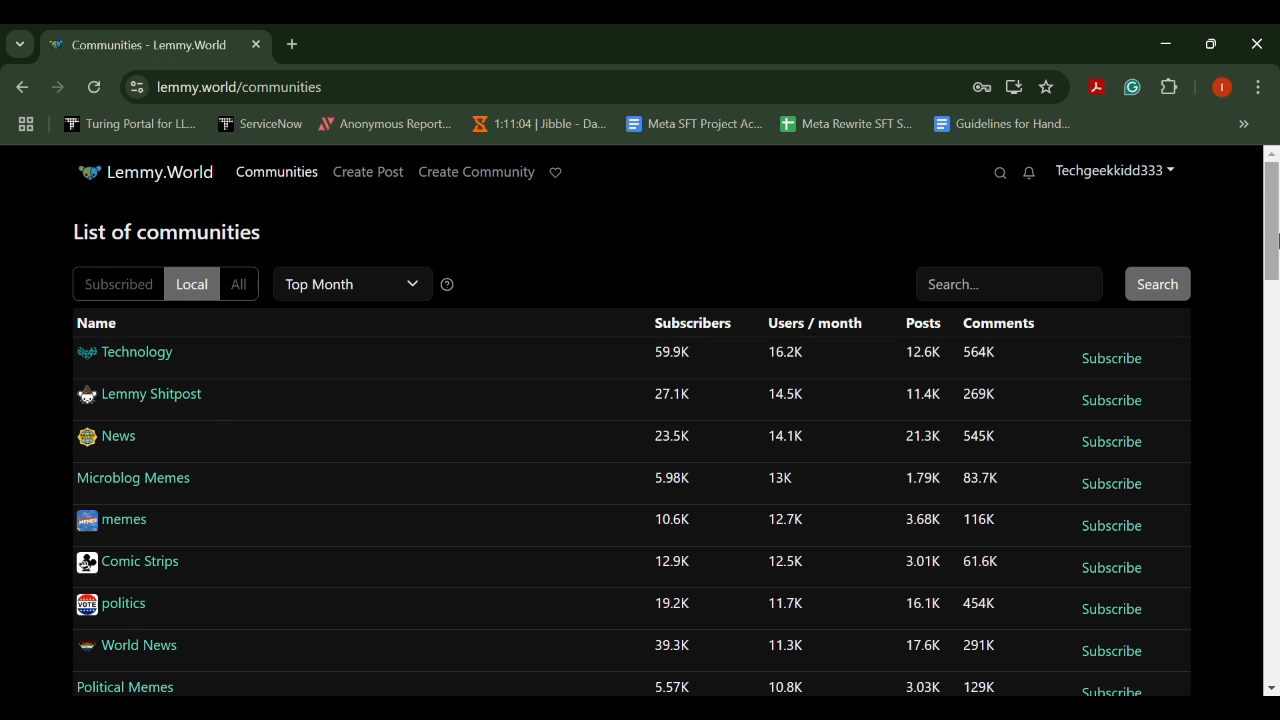 Image resolution: width=1280 pixels, height=720 pixels. What do you see at coordinates (146, 172) in the screenshot?
I see `Lemmy.World` at bounding box center [146, 172].